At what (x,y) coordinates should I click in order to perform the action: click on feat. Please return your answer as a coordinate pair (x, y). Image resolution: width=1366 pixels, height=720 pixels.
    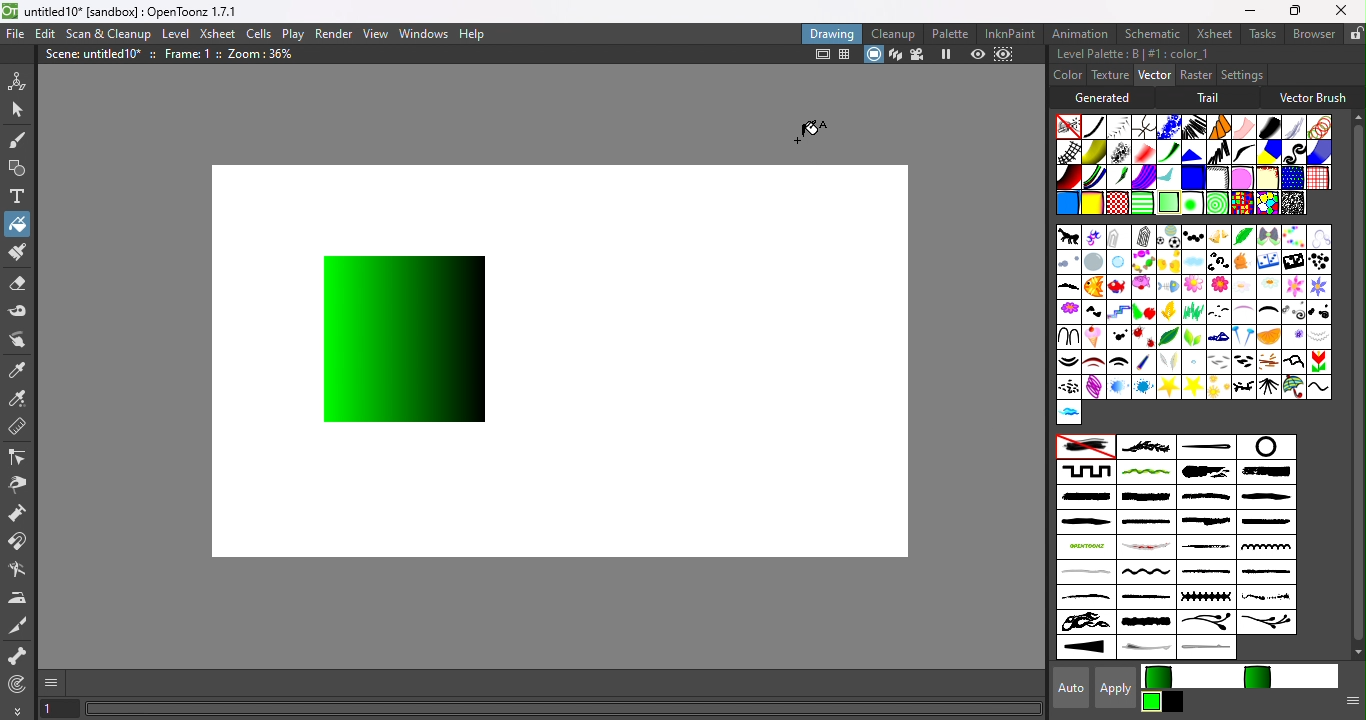
    Looking at the image, I should click on (1068, 288).